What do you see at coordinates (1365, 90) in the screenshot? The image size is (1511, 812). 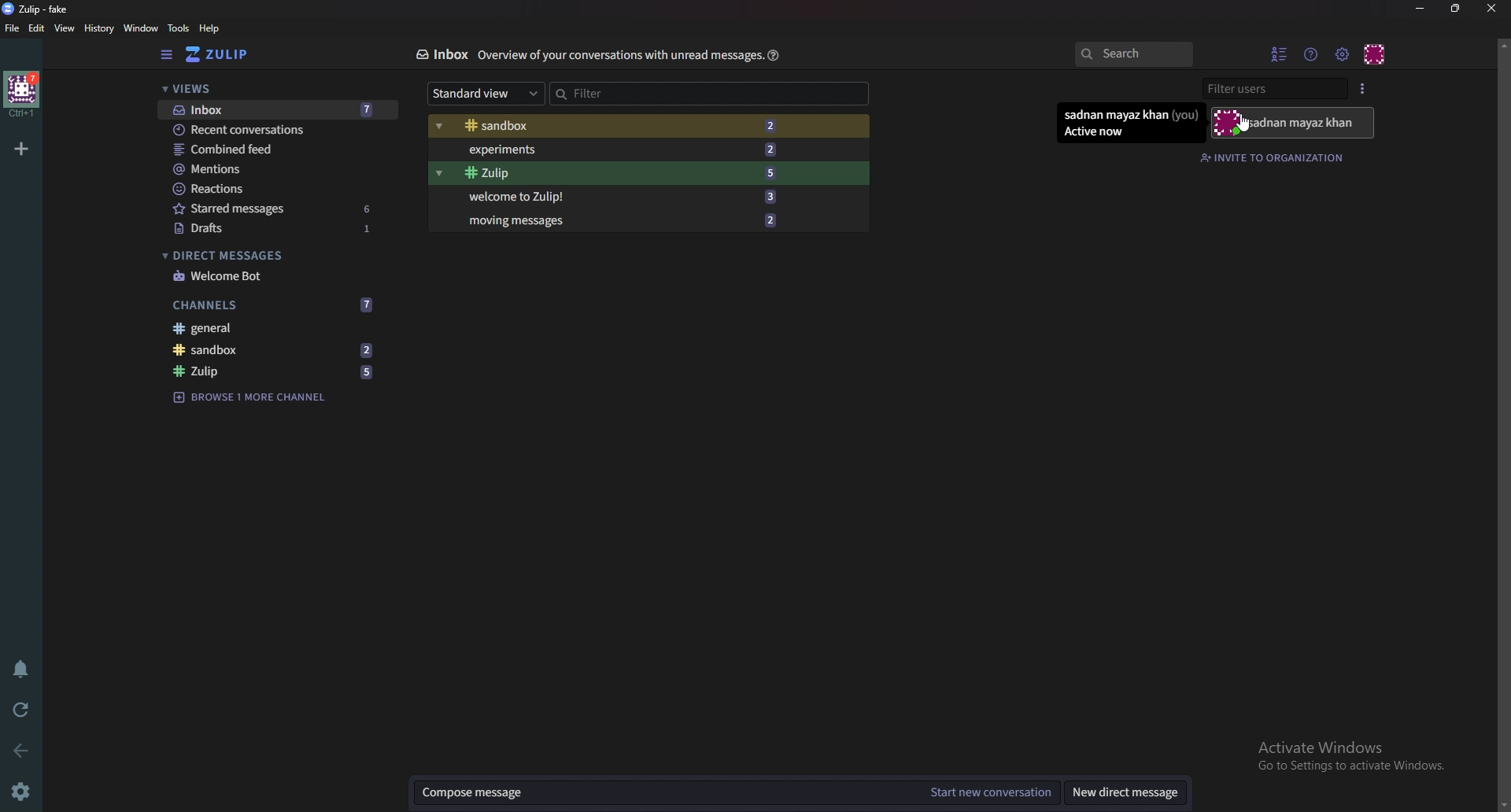 I see `User list style` at bounding box center [1365, 90].